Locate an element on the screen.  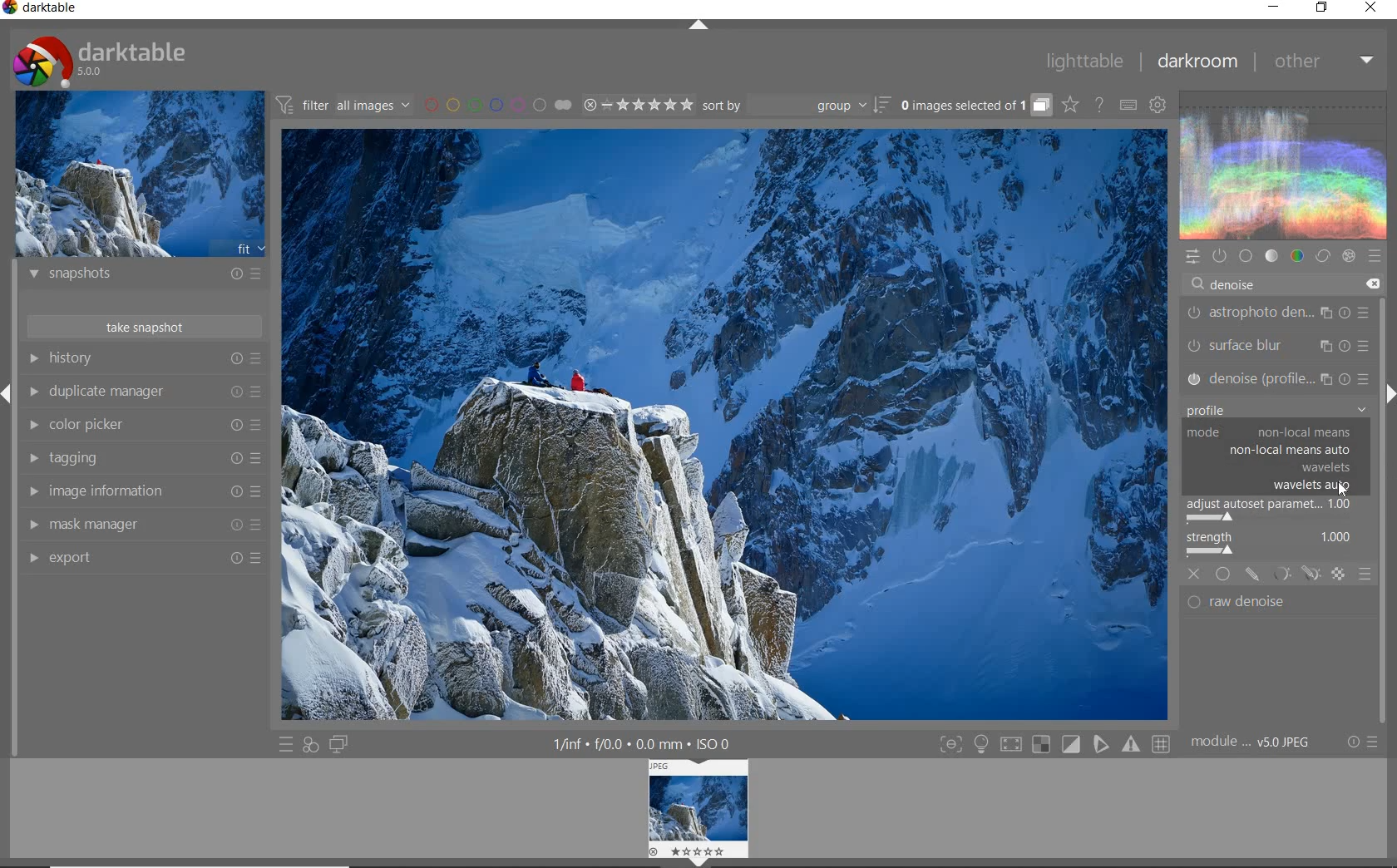
astrophoto density is located at coordinates (1278, 316).